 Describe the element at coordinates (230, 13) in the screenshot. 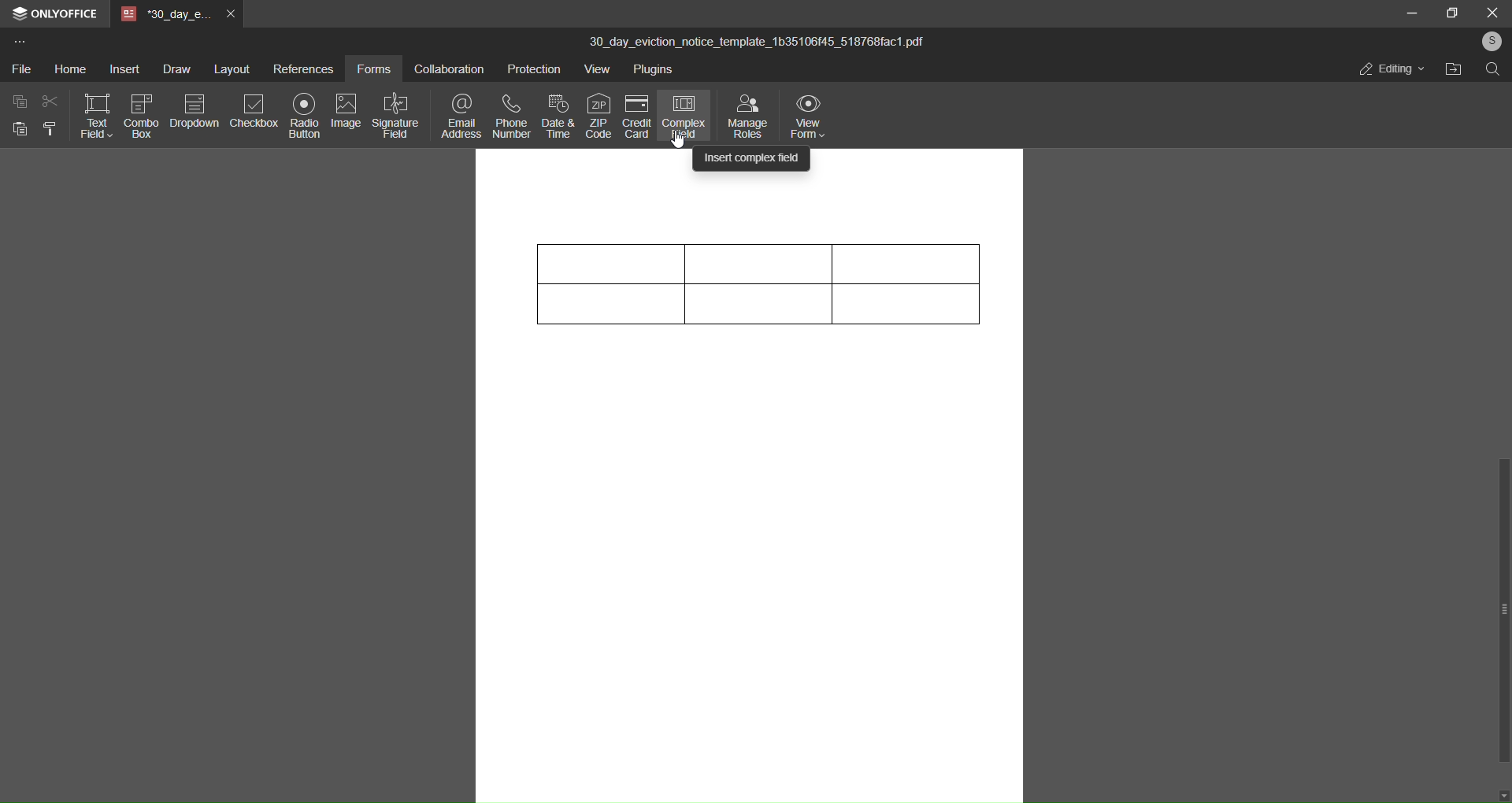

I see `close tab` at that location.